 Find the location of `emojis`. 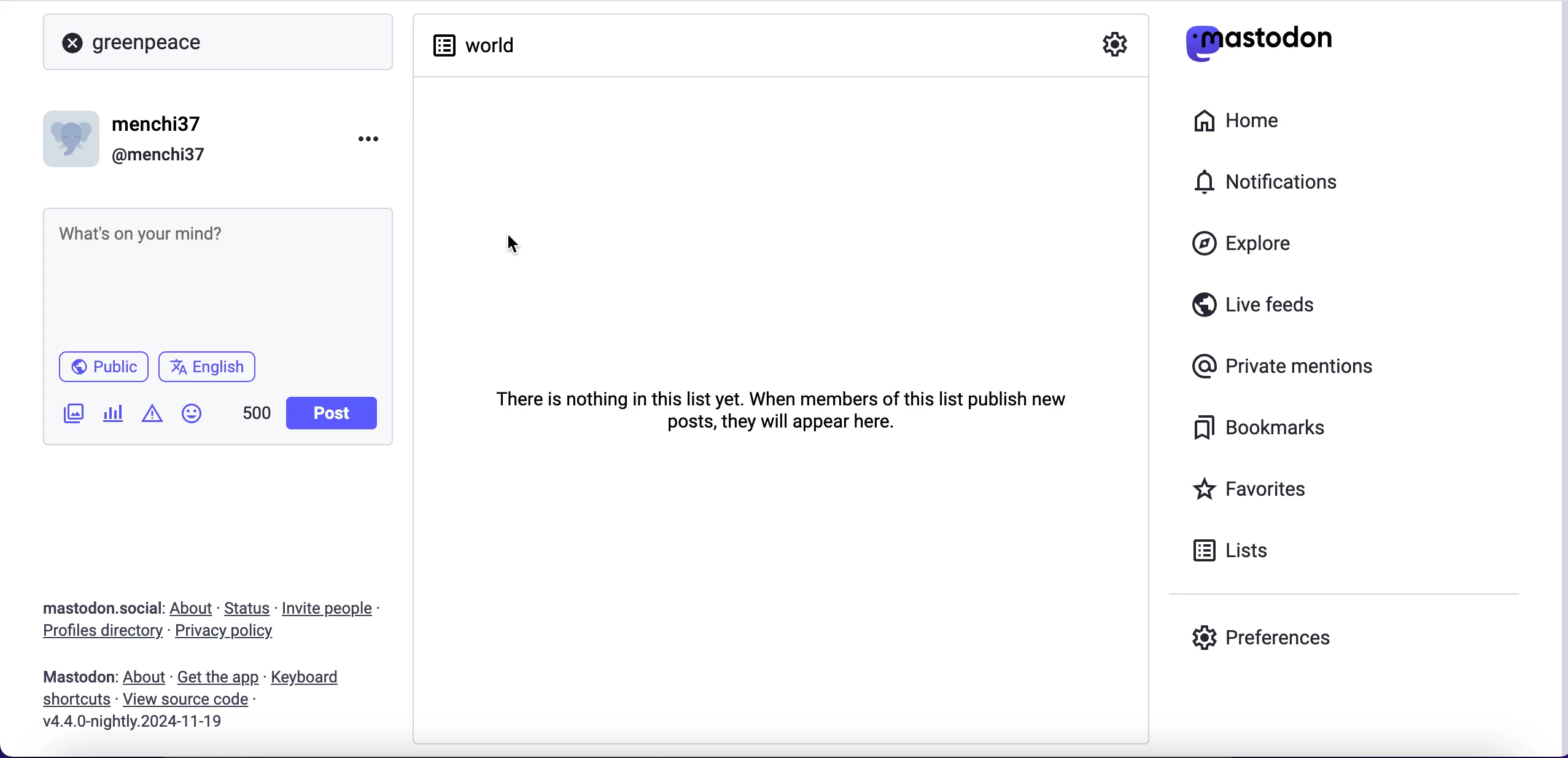

emojis is located at coordinates (197, 420).